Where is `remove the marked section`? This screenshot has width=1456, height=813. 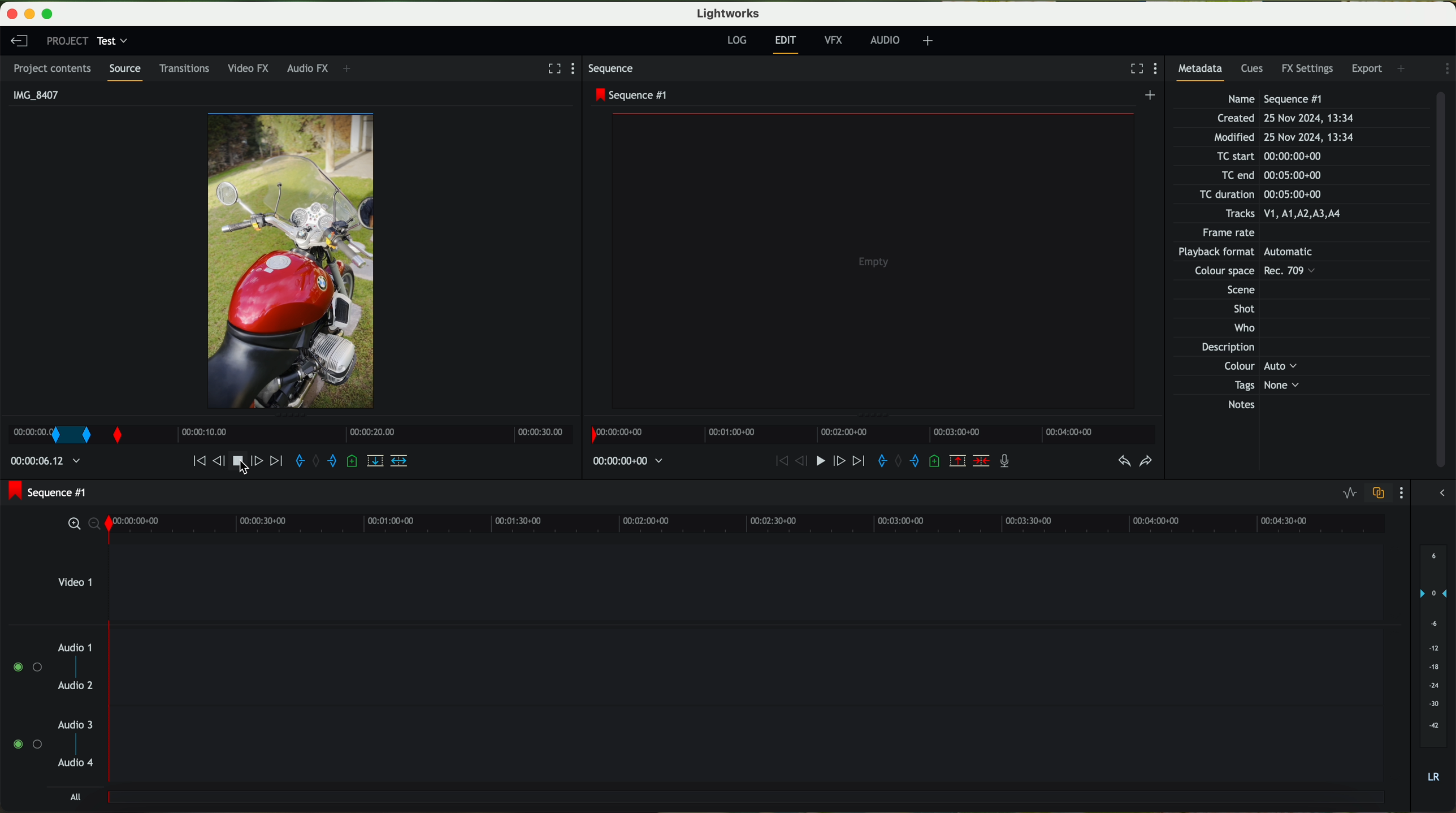
remove the marked section is located at coordinates (959, 462).